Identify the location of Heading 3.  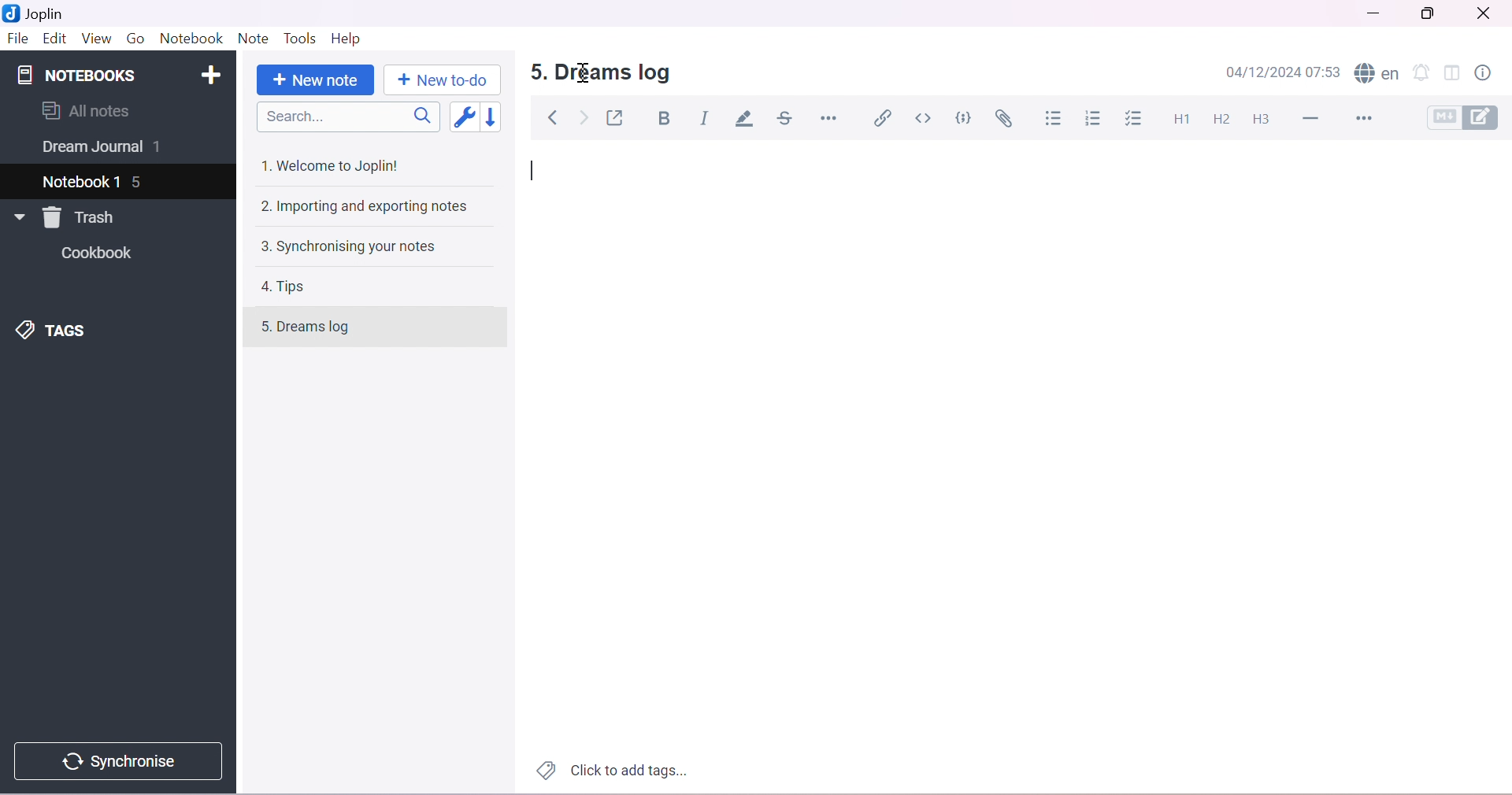
(1262, 118).